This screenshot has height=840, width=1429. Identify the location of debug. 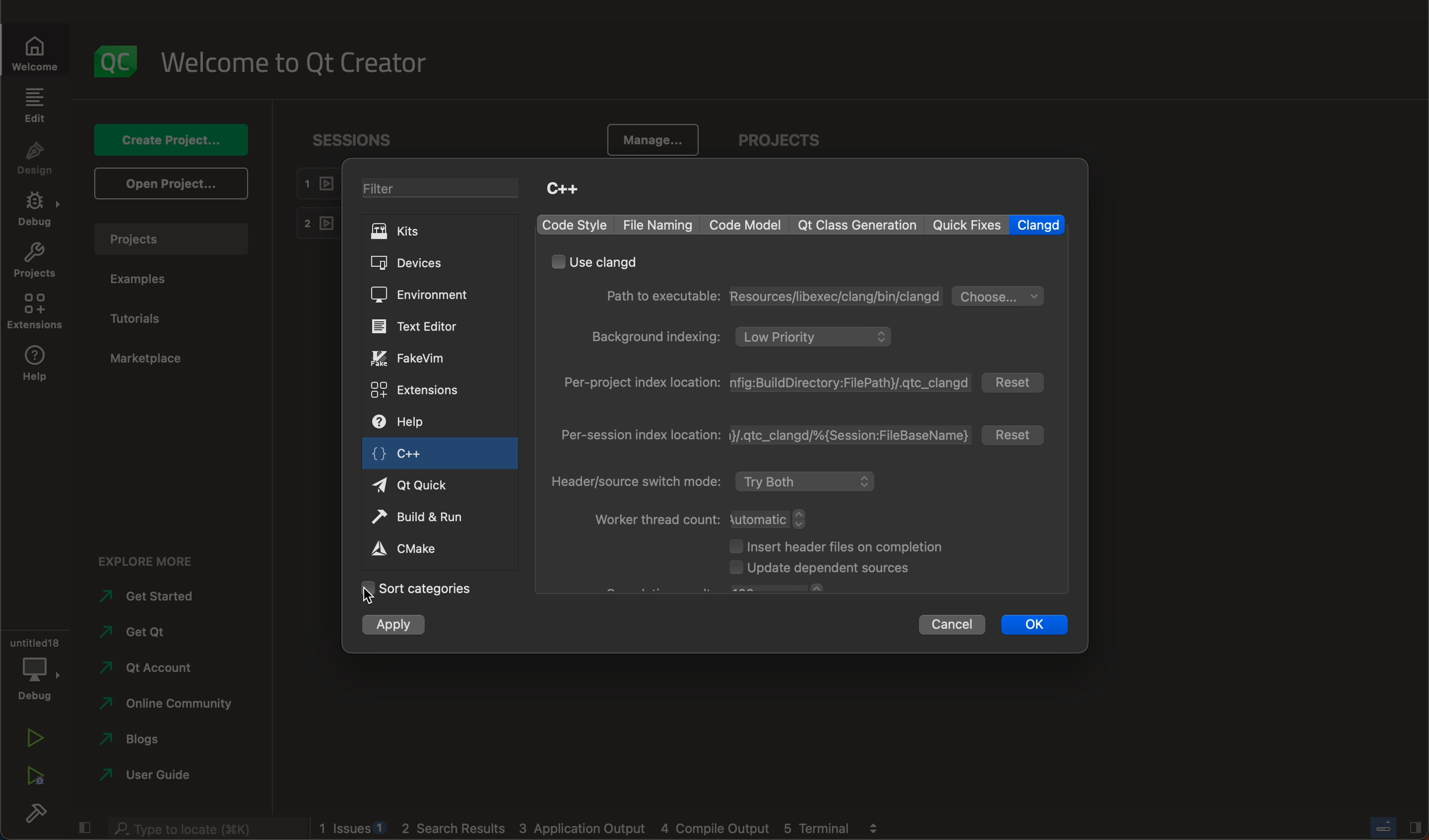
(35, 211).